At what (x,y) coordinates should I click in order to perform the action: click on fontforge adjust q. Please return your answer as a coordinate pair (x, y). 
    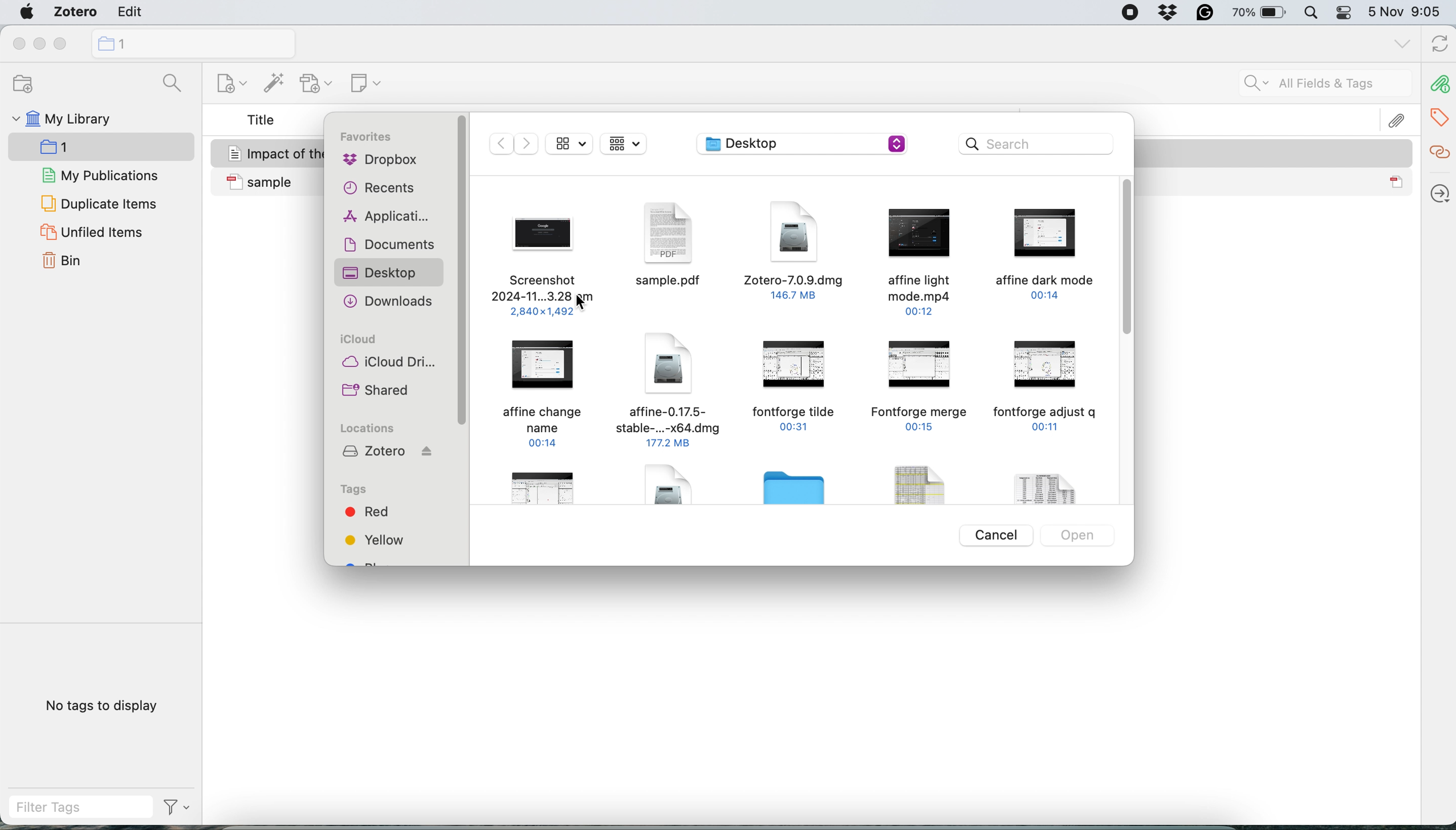
    Looking at the image, I should click on (1044, 383).